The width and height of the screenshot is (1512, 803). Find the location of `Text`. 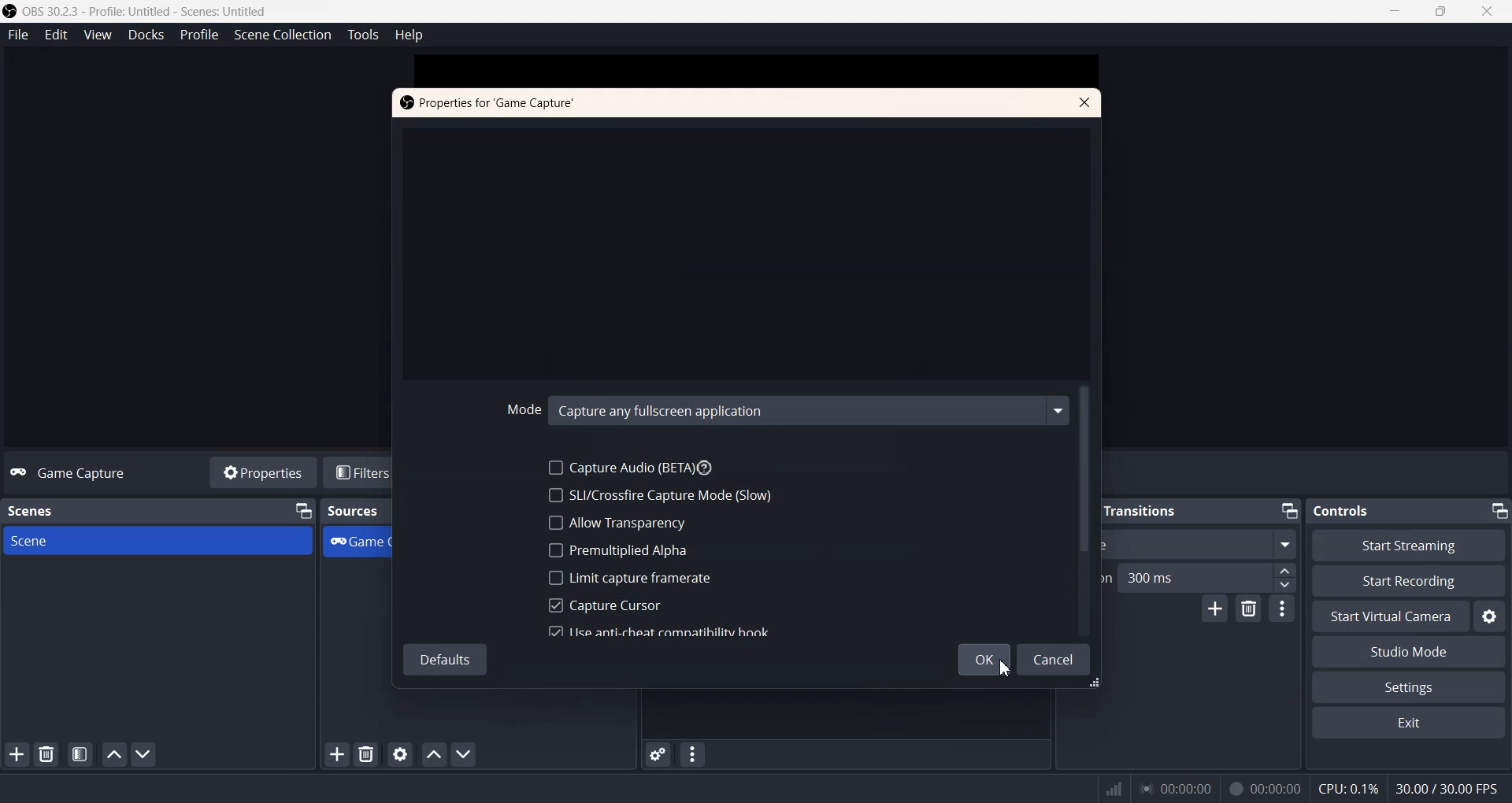

Text is located at coordinates (353, 512).